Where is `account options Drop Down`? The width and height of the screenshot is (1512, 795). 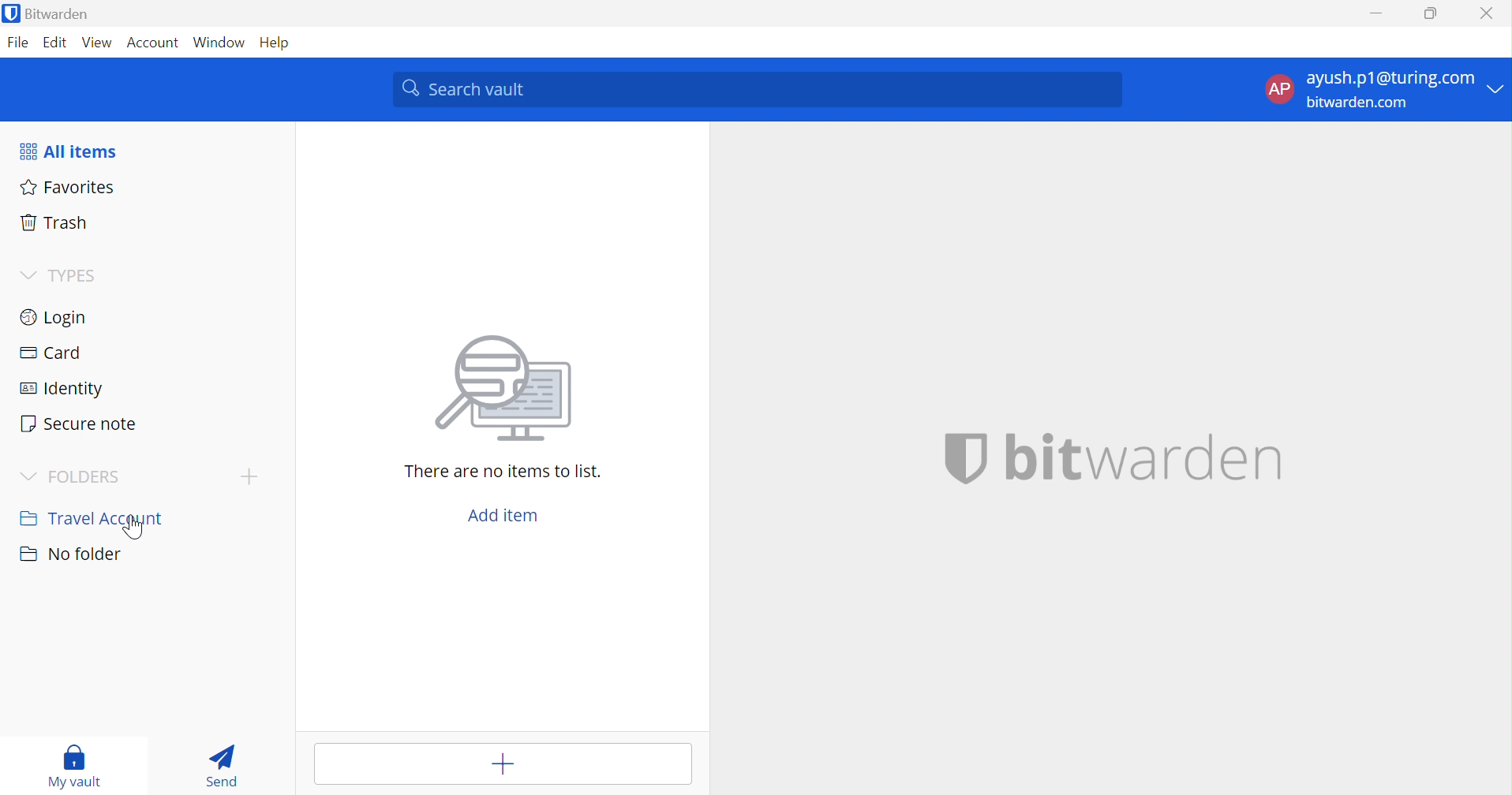 account options Drop Down is located at coordinates (1382, 93).